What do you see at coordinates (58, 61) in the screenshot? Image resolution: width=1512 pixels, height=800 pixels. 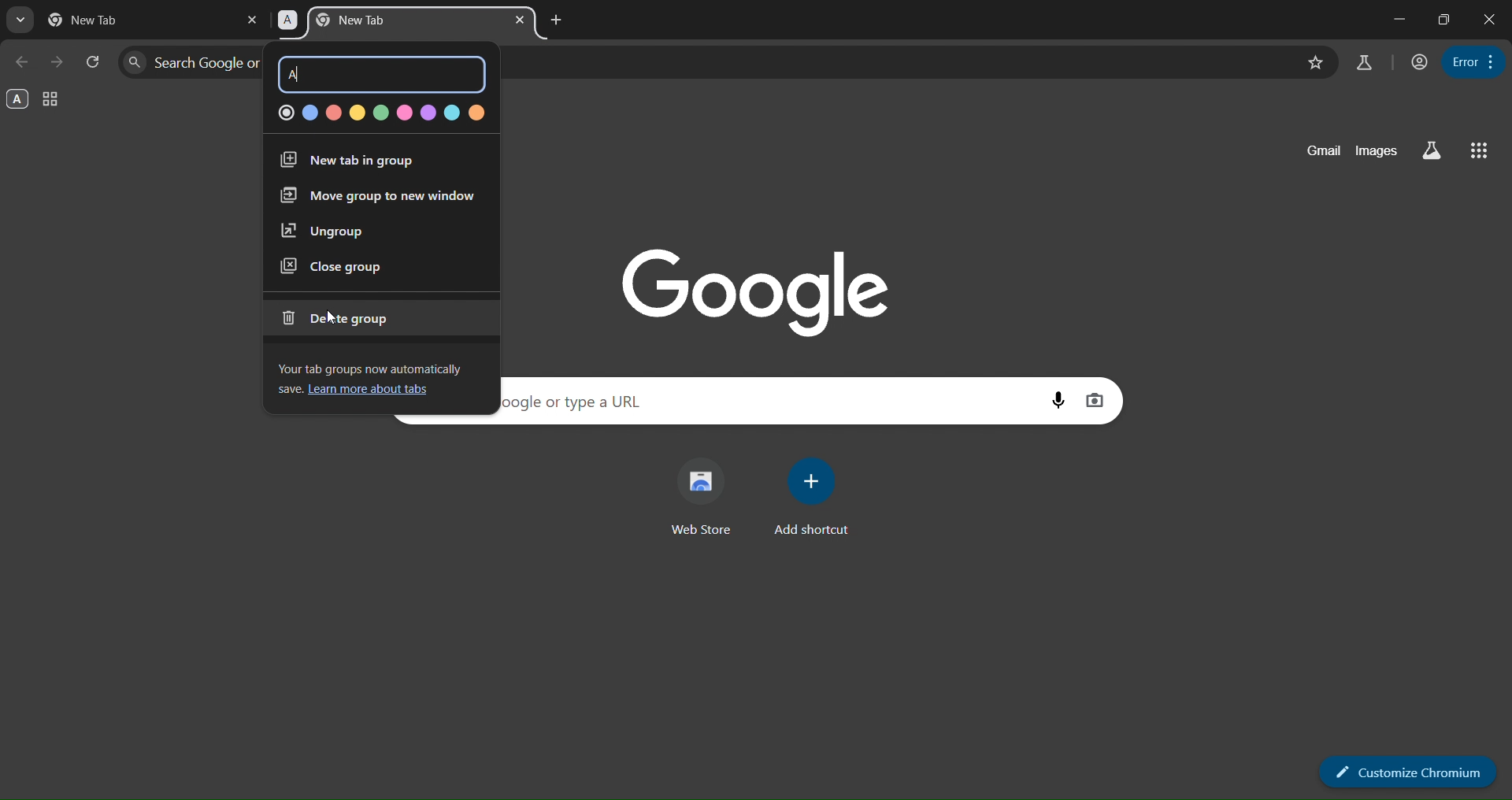 I see `go forward one page` at bounding box center [58, 61].